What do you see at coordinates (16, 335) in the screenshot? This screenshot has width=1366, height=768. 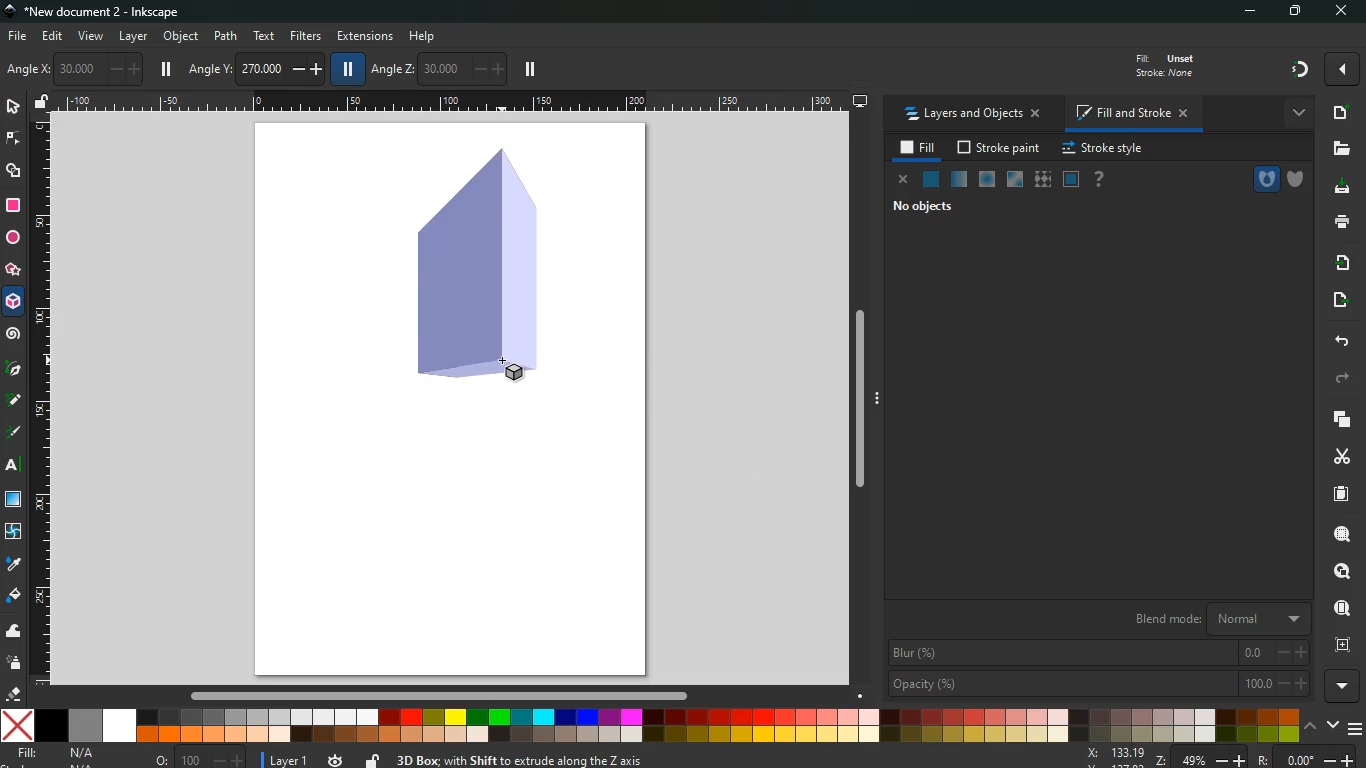 I see `Spiral` at bounding box center [16, 335].